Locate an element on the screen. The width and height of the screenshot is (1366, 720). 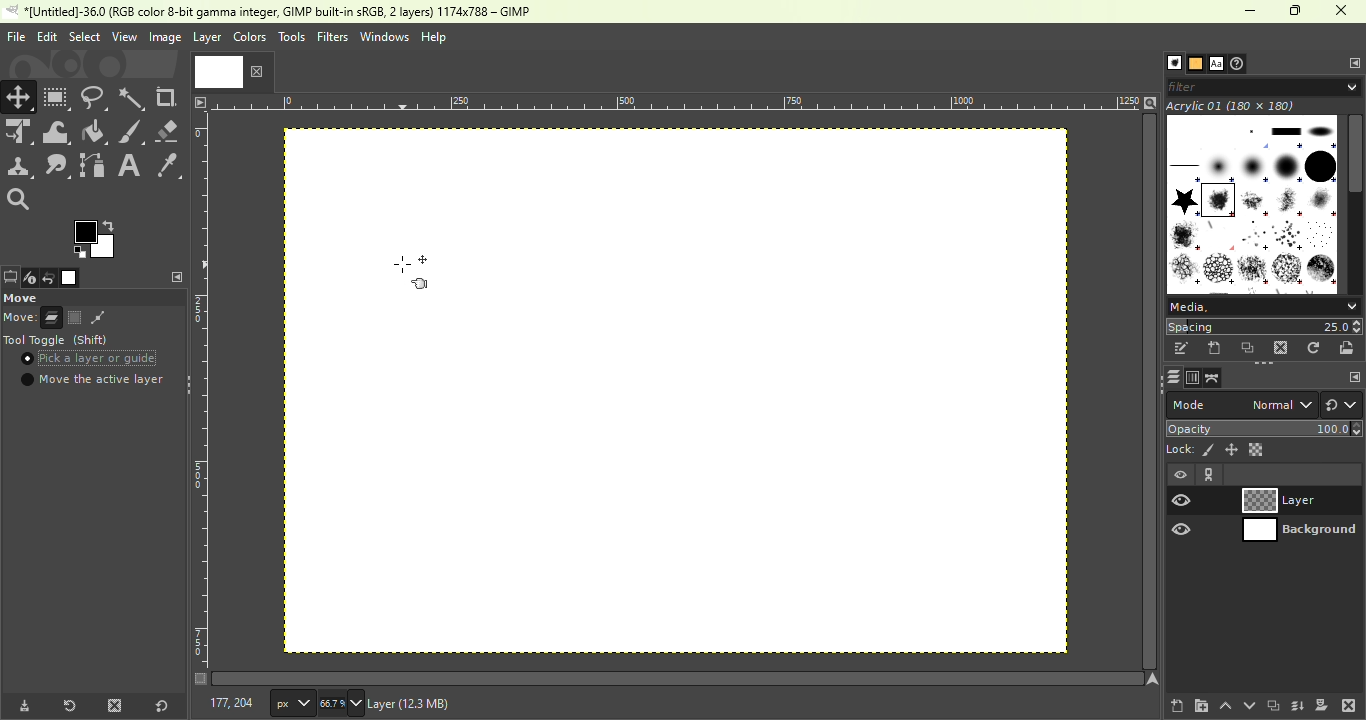
Free select is located at coordinates (92, 297).